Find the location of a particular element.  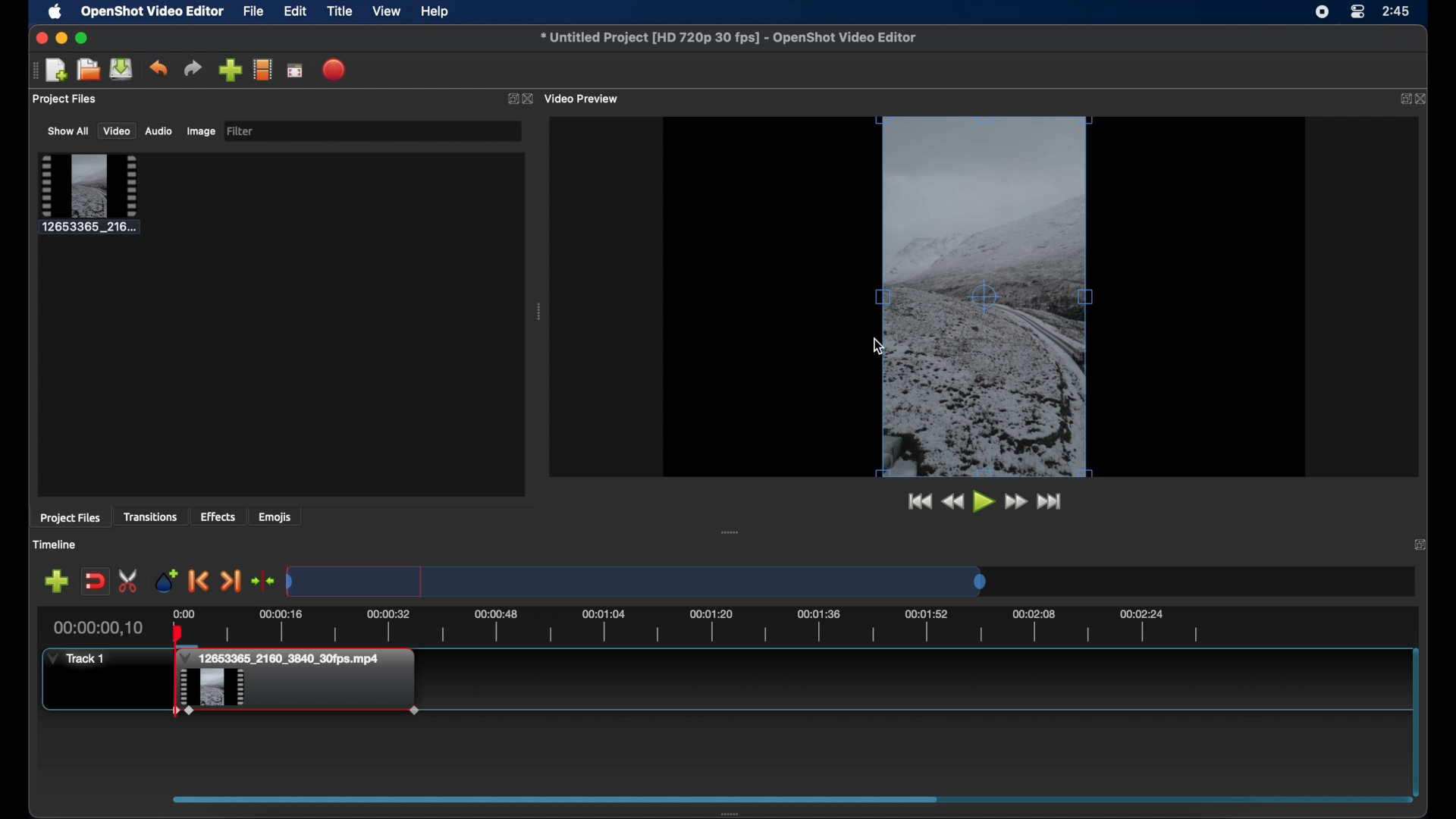

expand is located at coordinates (1401, 99).